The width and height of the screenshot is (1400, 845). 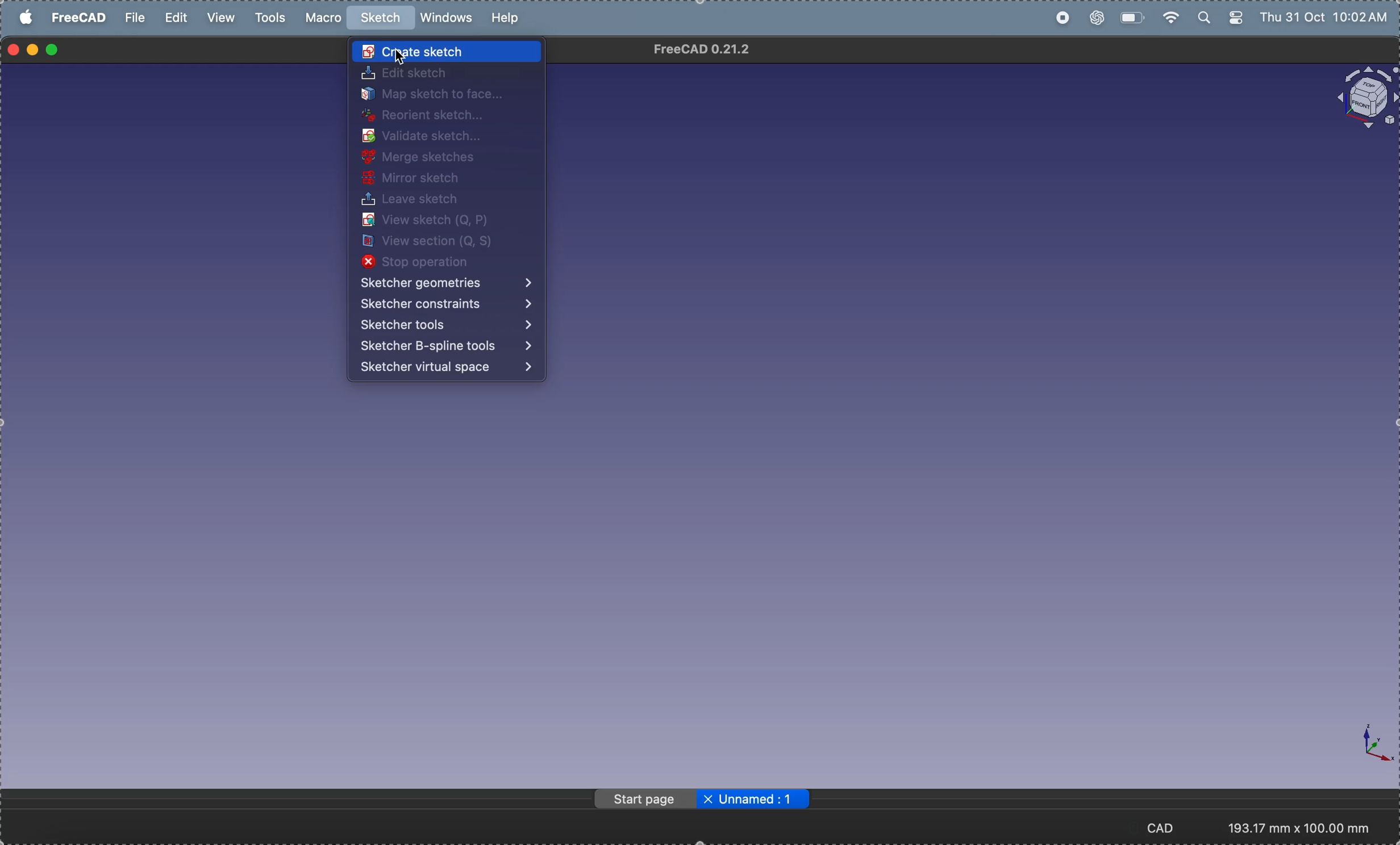 What do you see at coordinates (450, 19) in the screenshot?
I see `windows` at bounding box center [450, 19].